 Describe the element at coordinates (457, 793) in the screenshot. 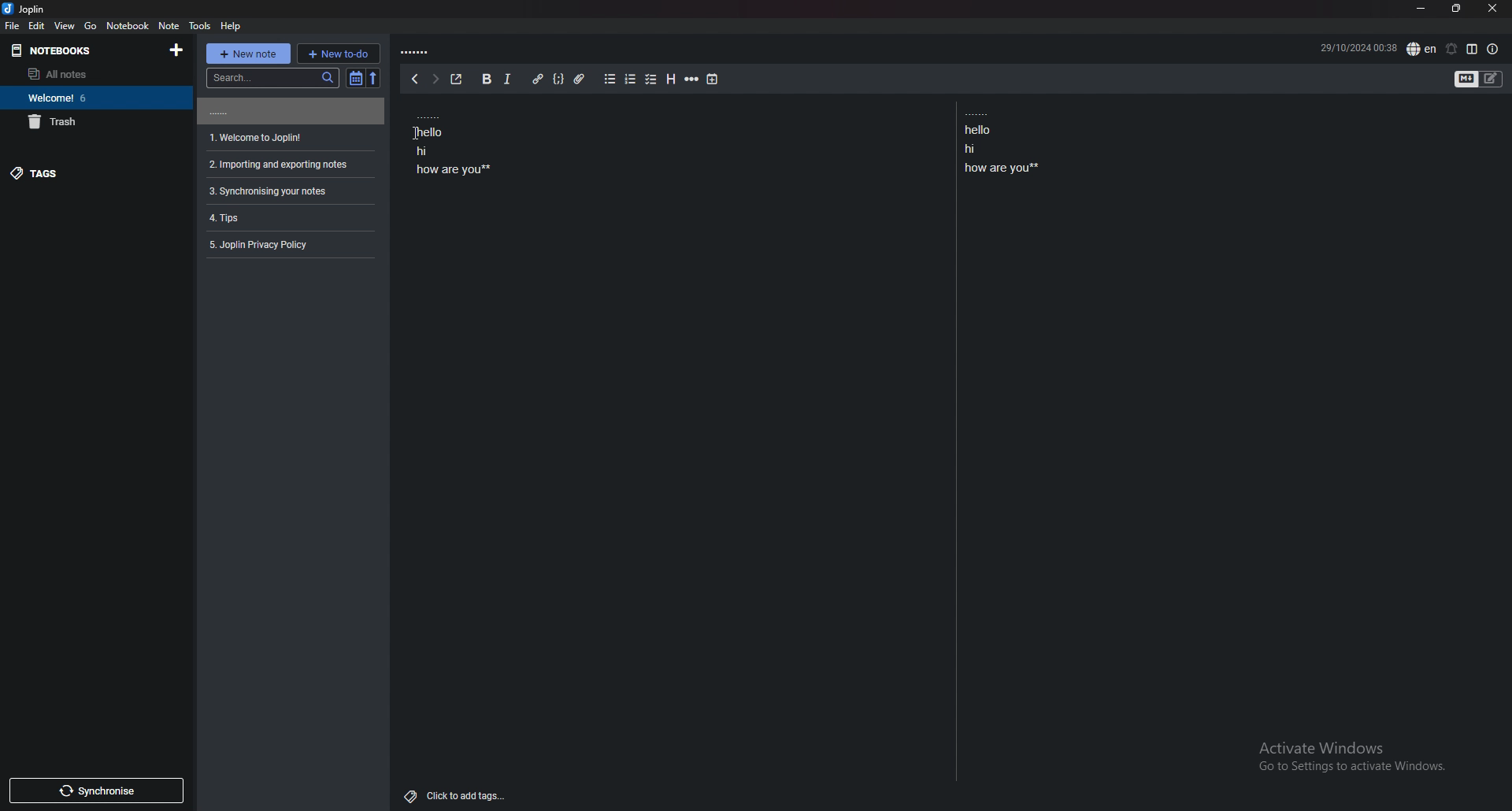

I see `` at that location.